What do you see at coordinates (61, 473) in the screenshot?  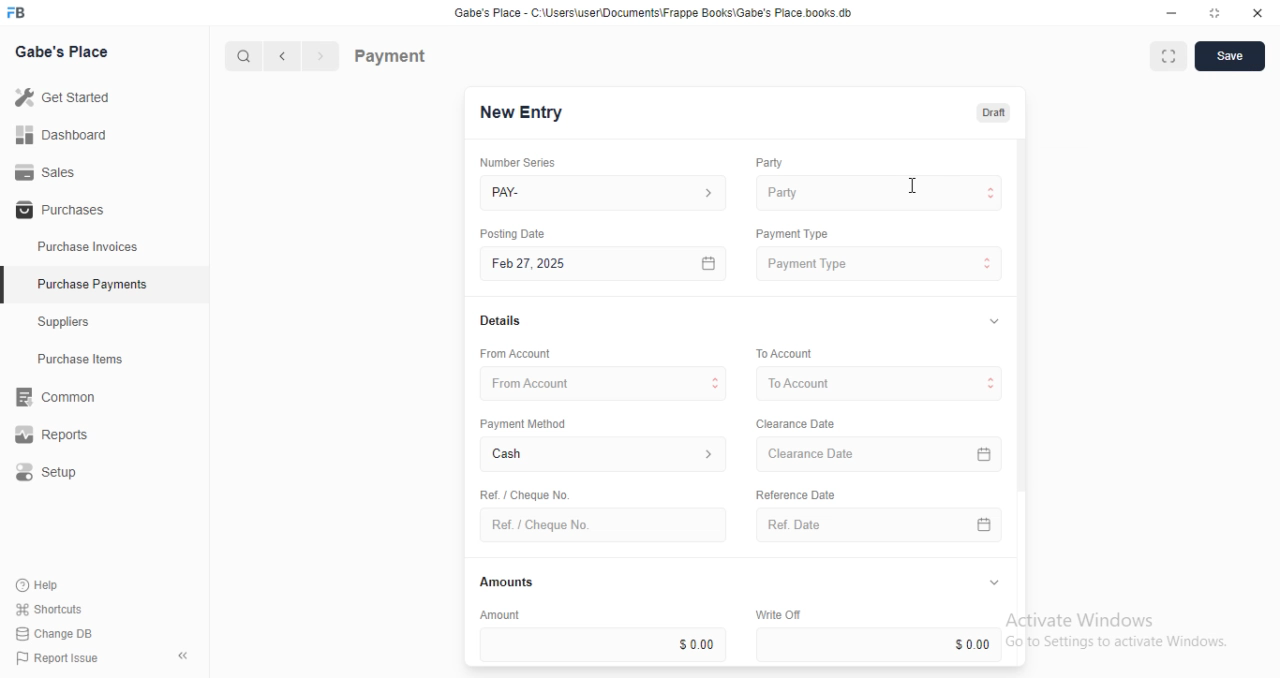 I see `Setup` at bounding box center [61, 473].